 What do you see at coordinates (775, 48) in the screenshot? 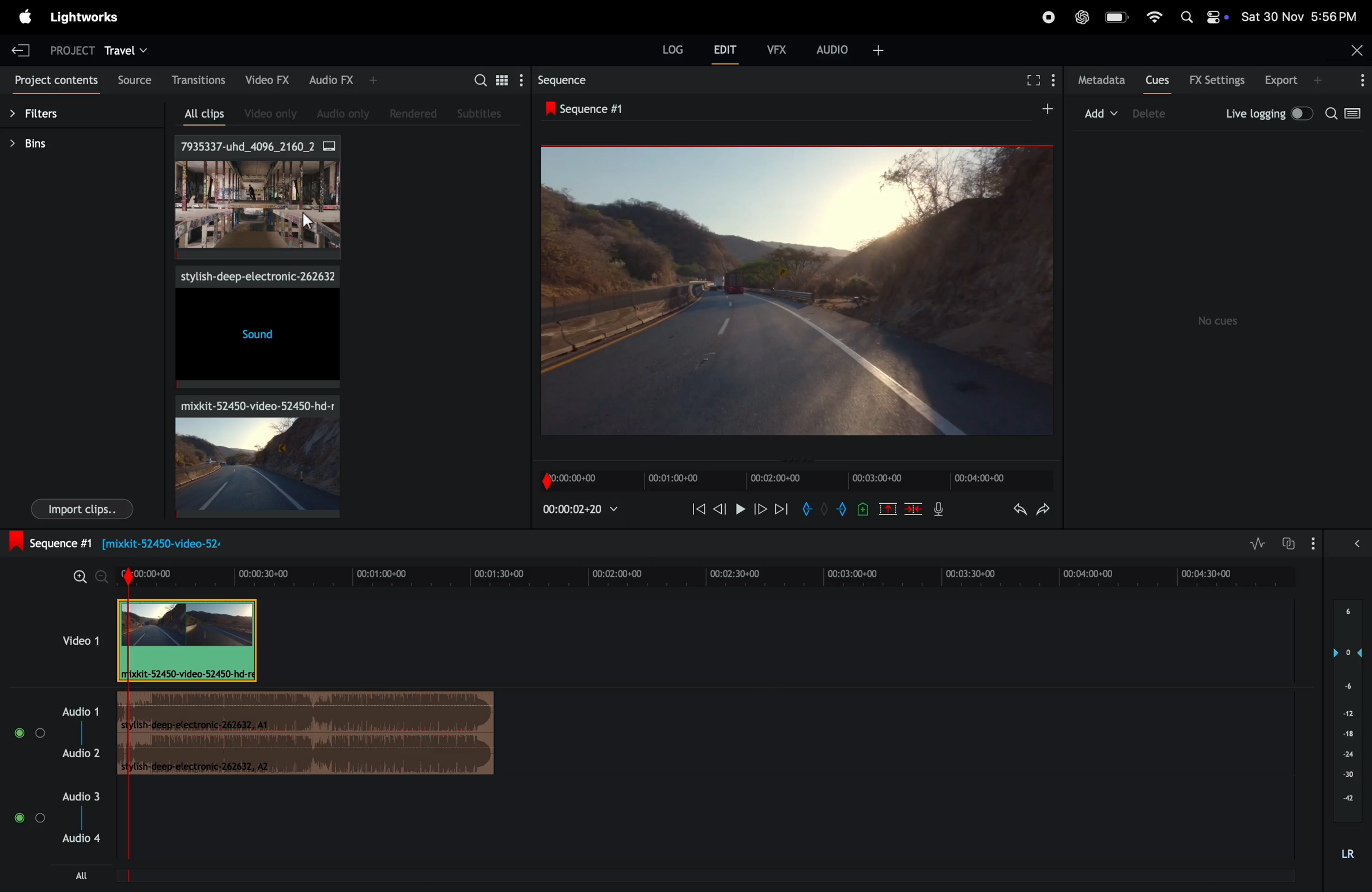
I see `vfx` at bounding box center [775, 48].